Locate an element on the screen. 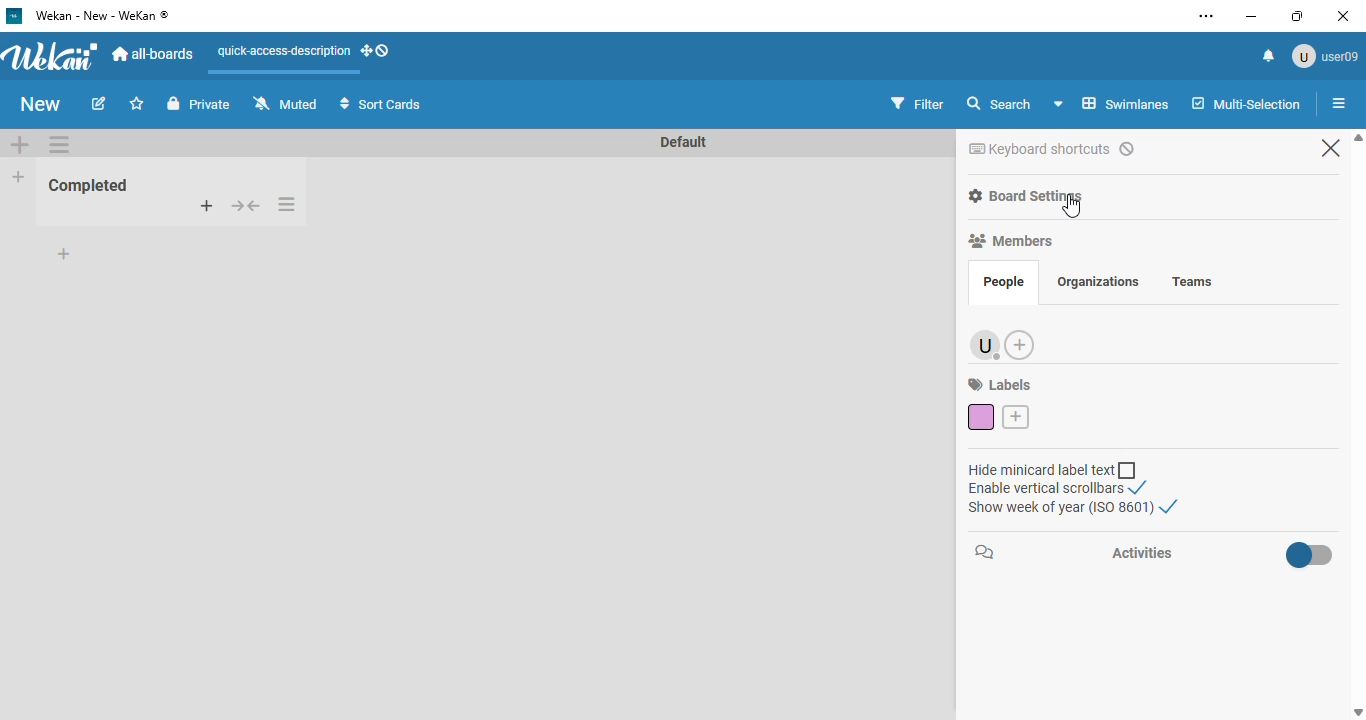  chat is located at coordinates (992, 551).